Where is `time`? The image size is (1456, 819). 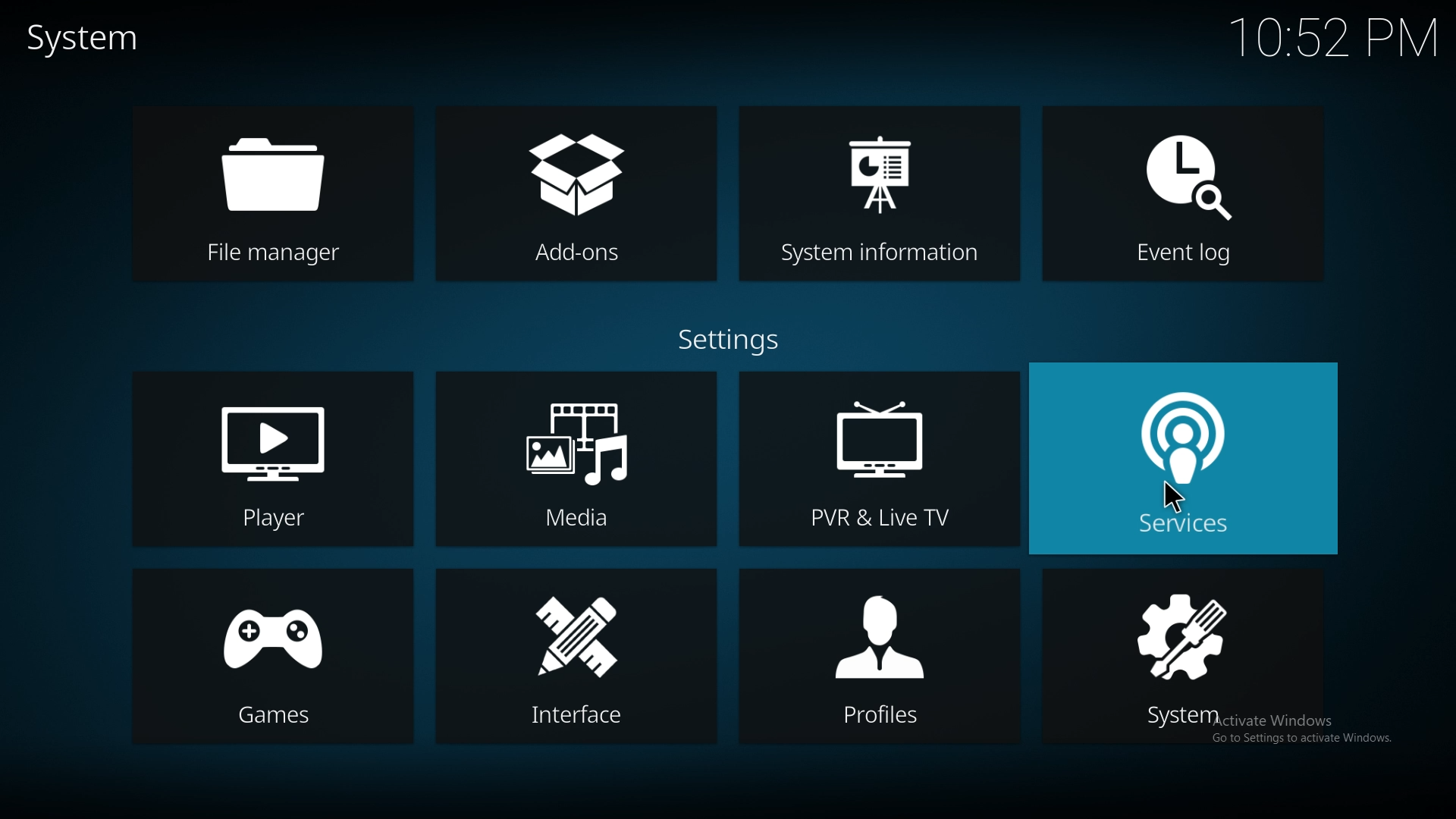 time is located at coordinates (1333, 36).